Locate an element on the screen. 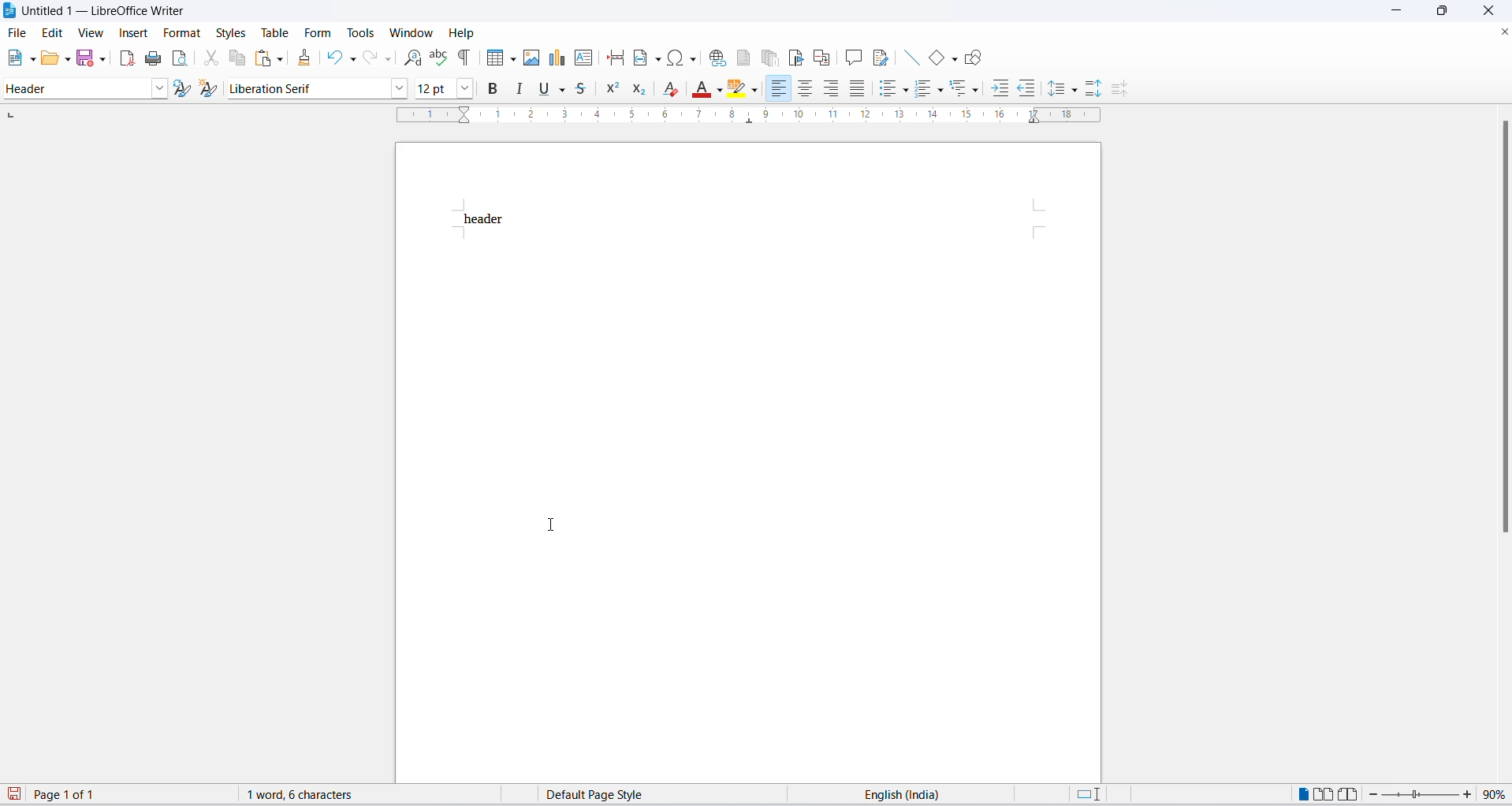 The width and height of the screenshot is (1512, 806). cut is located at coordinates (210, 59).